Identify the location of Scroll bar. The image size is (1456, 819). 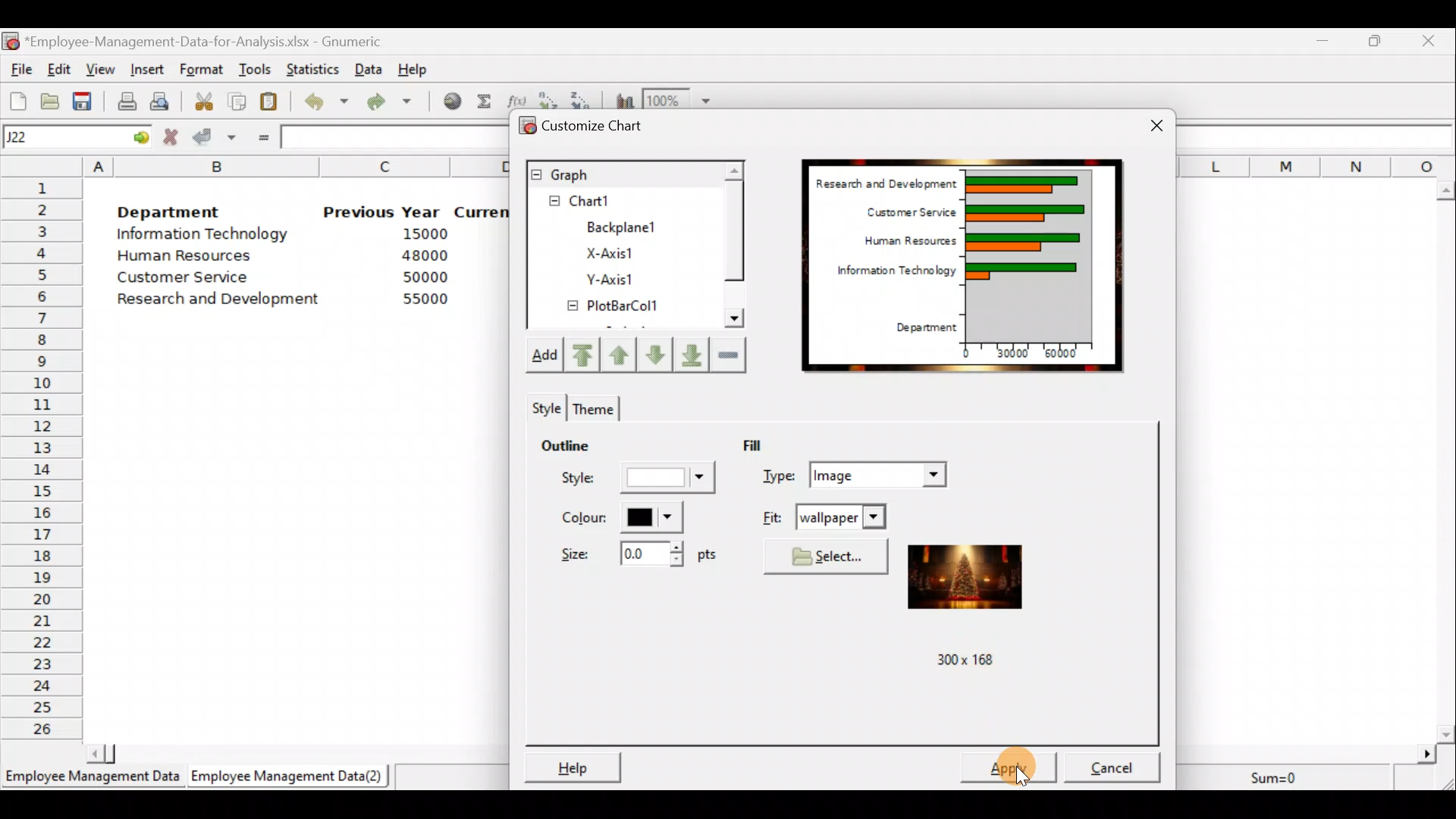
(1447, 457).